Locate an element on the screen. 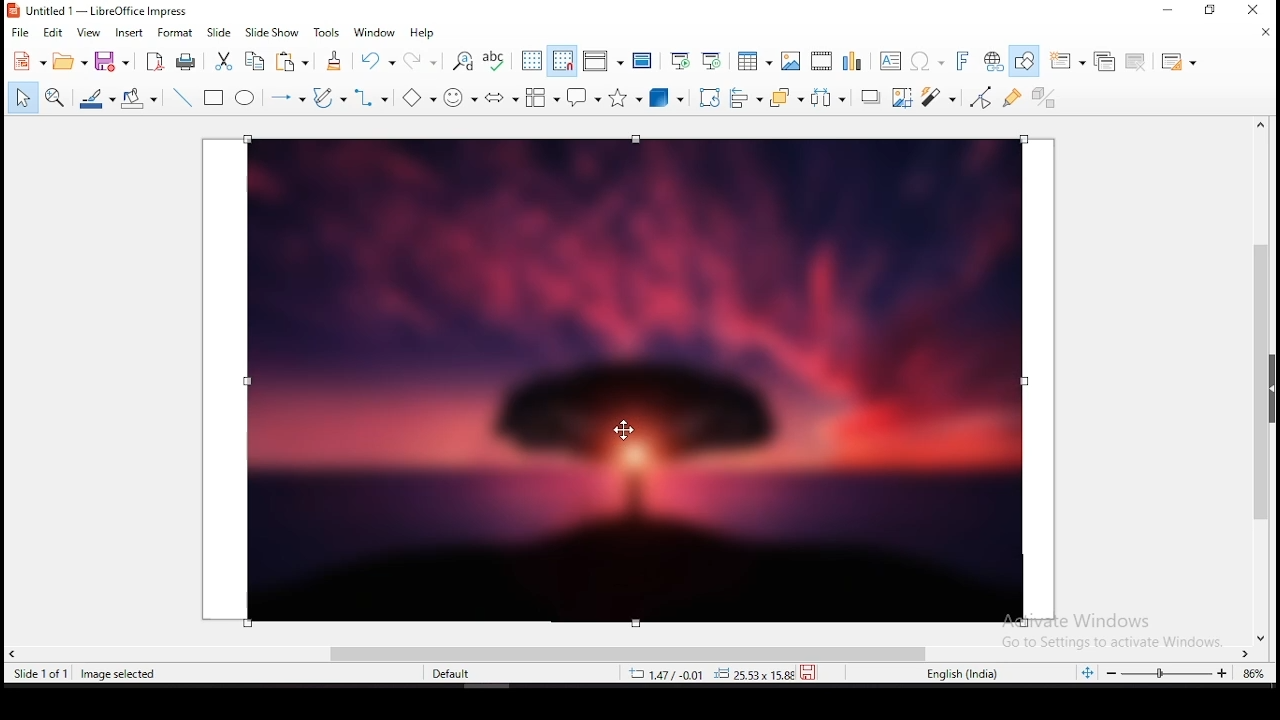 The height and width of the screenshot is (720, 1280). english (india) is located at coordinates (962, 674).